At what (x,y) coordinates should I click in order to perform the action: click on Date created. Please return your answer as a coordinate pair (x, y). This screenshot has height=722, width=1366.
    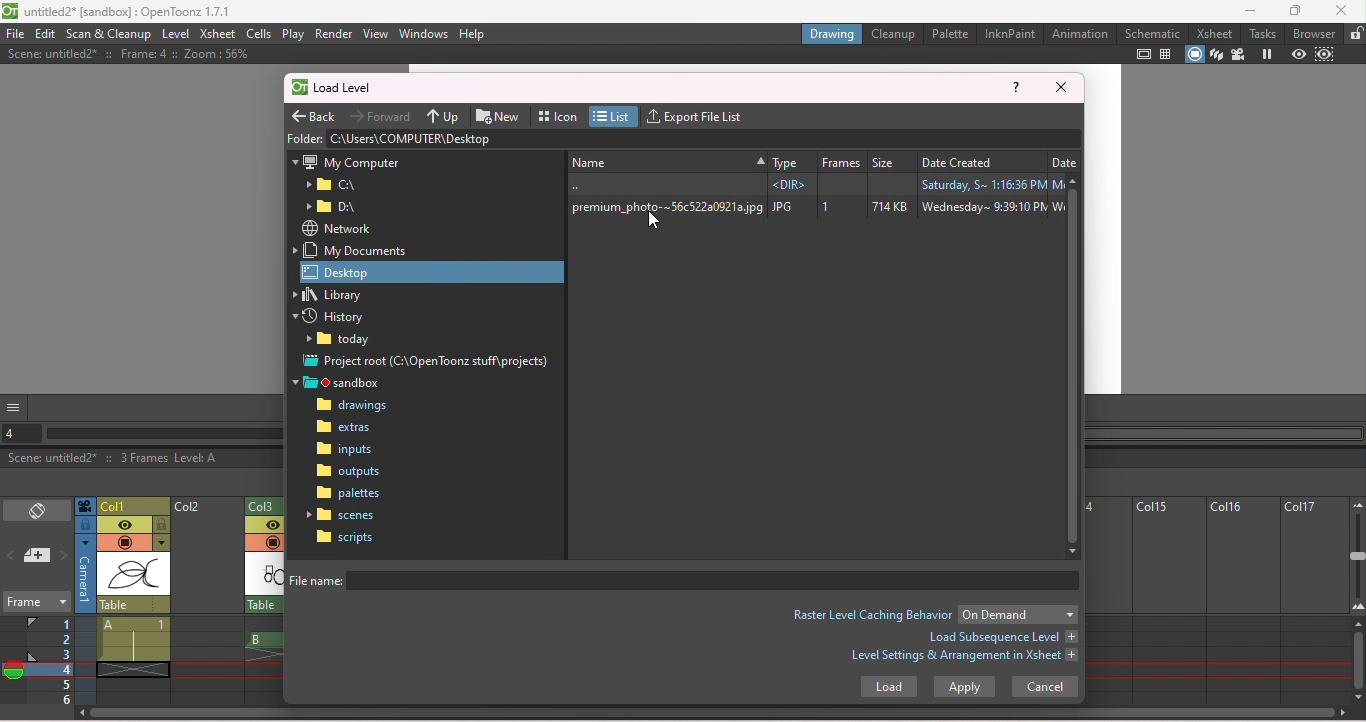
    Looking at the image, I should click on (980, 159).